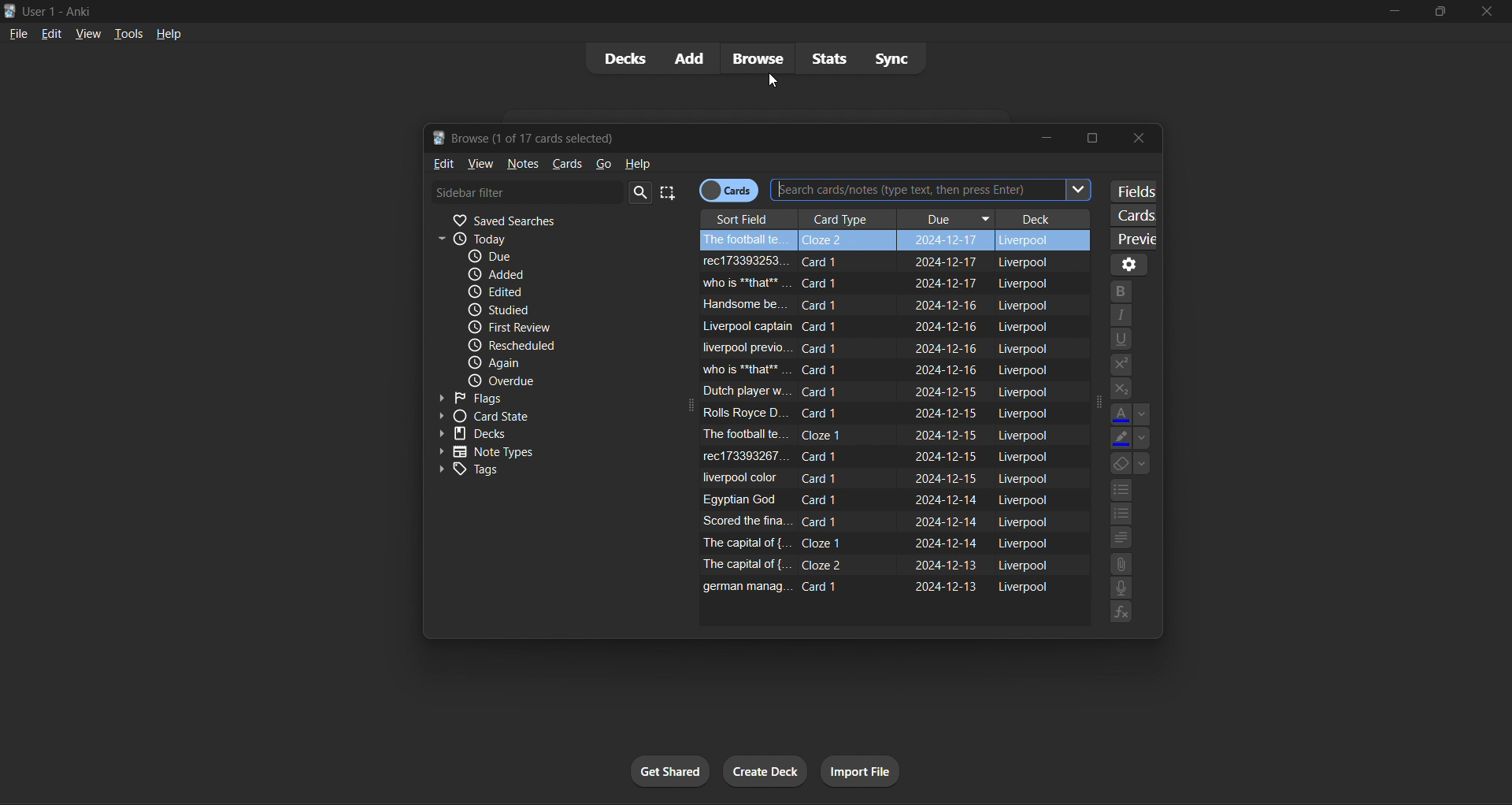  I want to click on field, so click(749, 240).